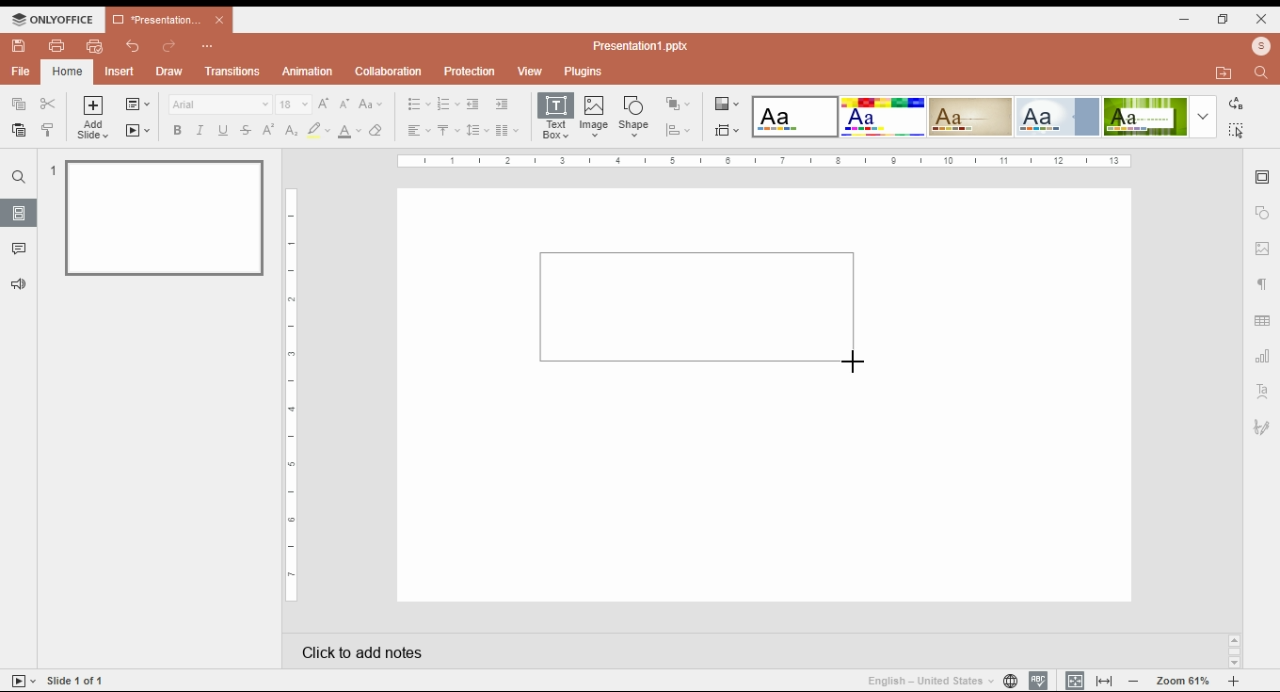 The width and height of the screenshot is (1280, 692). Describe the element at coordinates (479, 130) in the screenshot. I see `line spacing` at that location.